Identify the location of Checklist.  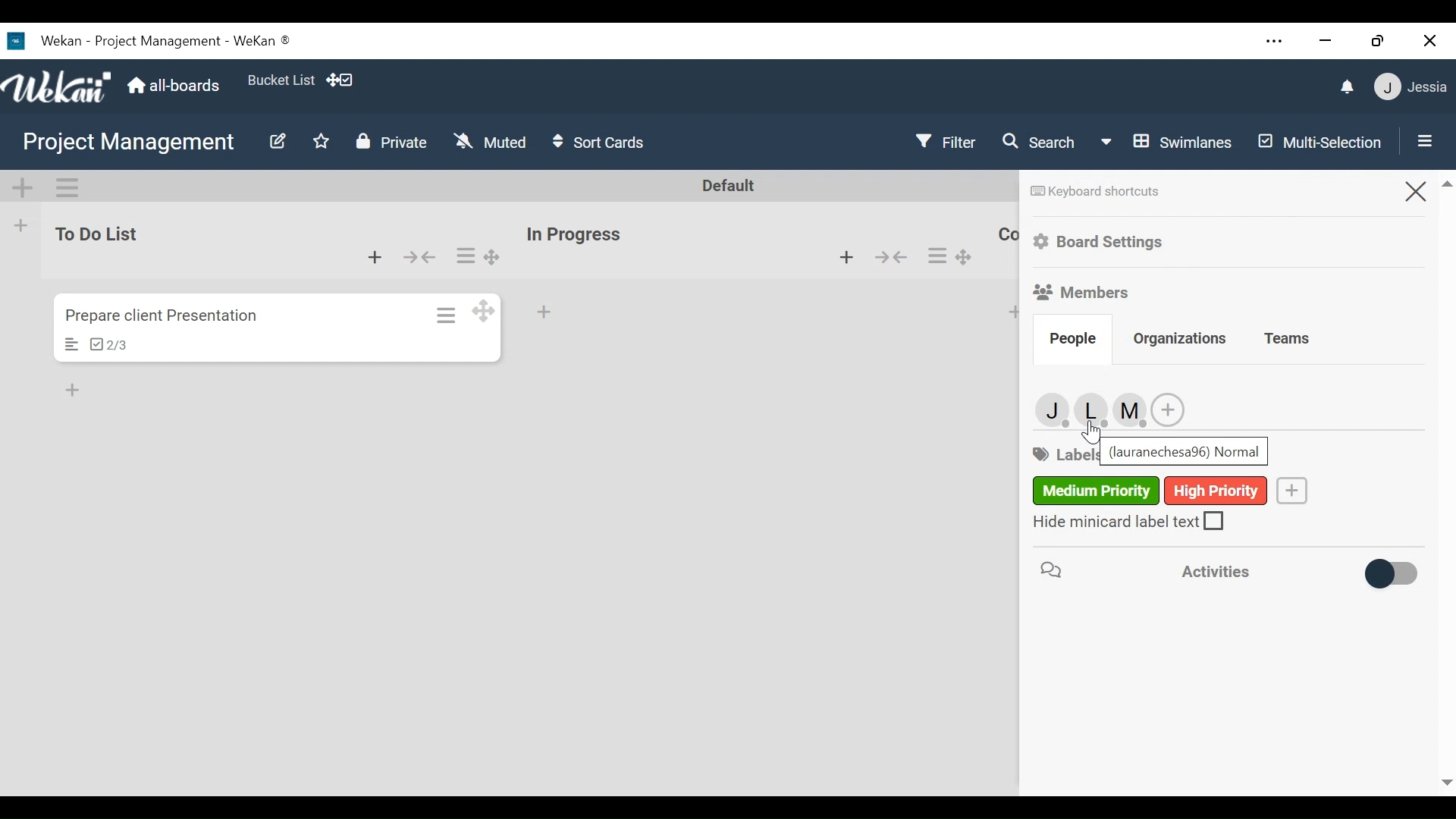
(108, 344).